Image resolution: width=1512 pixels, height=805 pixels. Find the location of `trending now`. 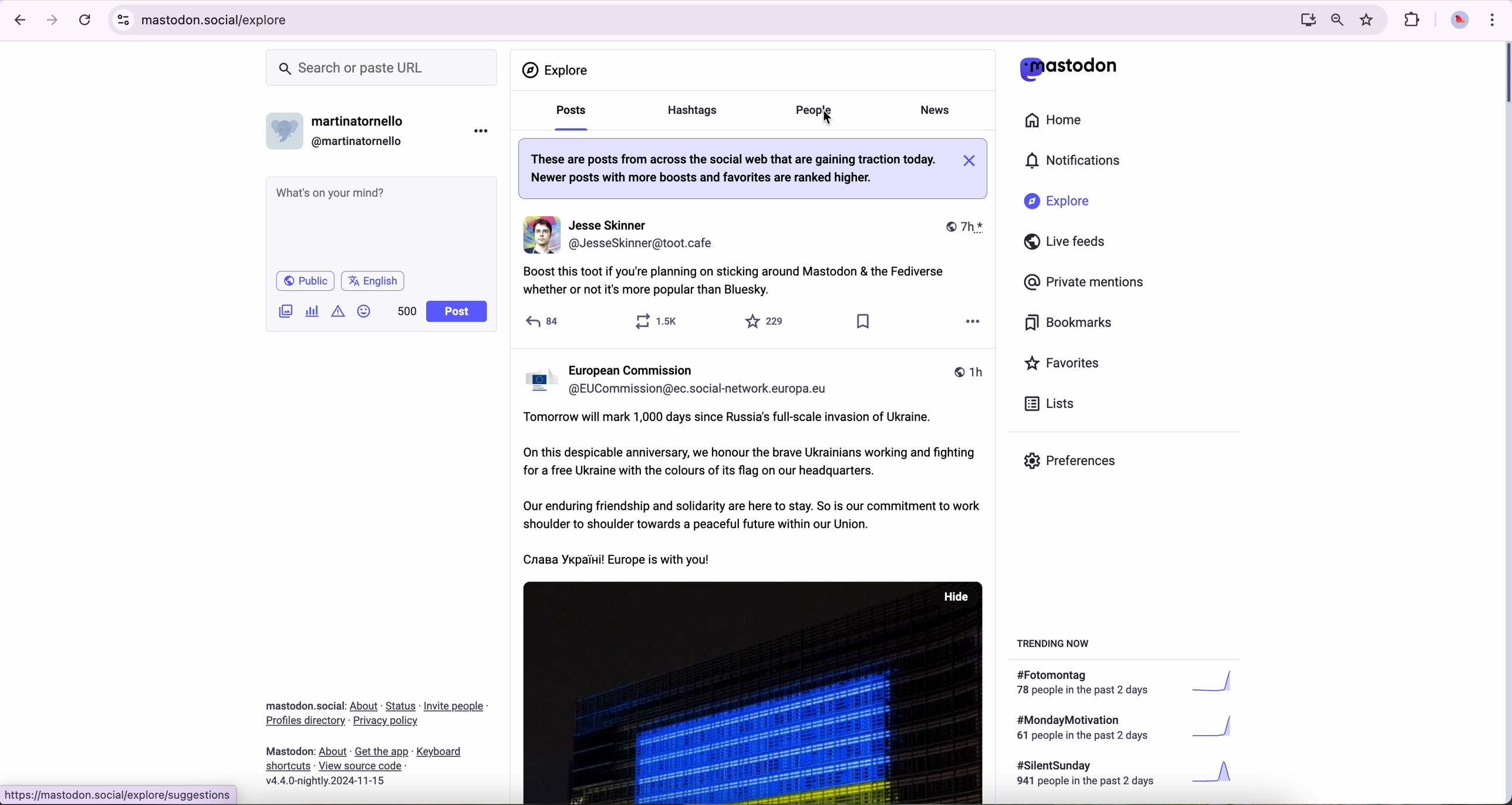

trending now is located at coordinates (1055, 642).